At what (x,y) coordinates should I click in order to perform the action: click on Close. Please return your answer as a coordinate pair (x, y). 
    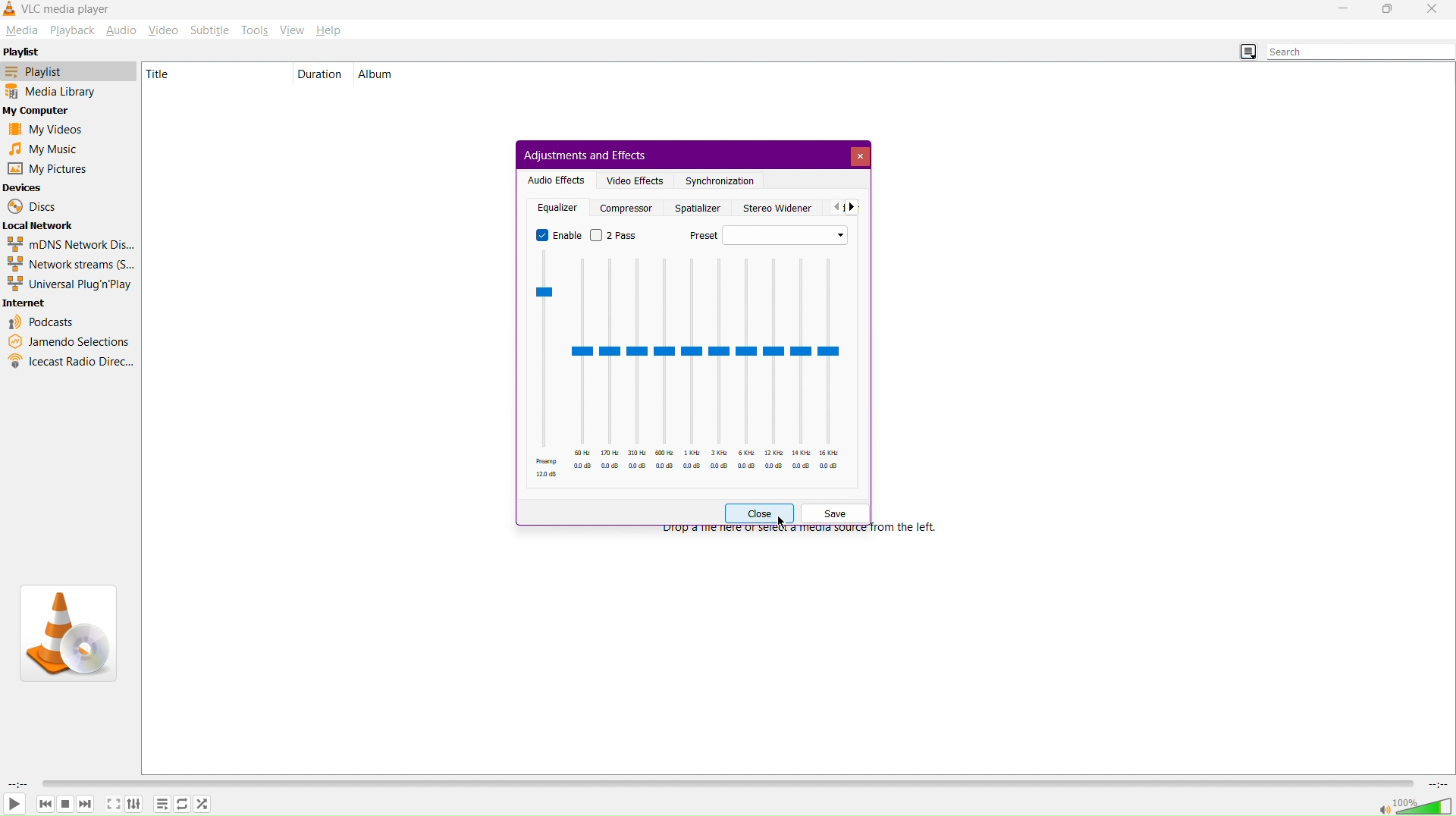
    Looking at the image, I should click on (758, 514).